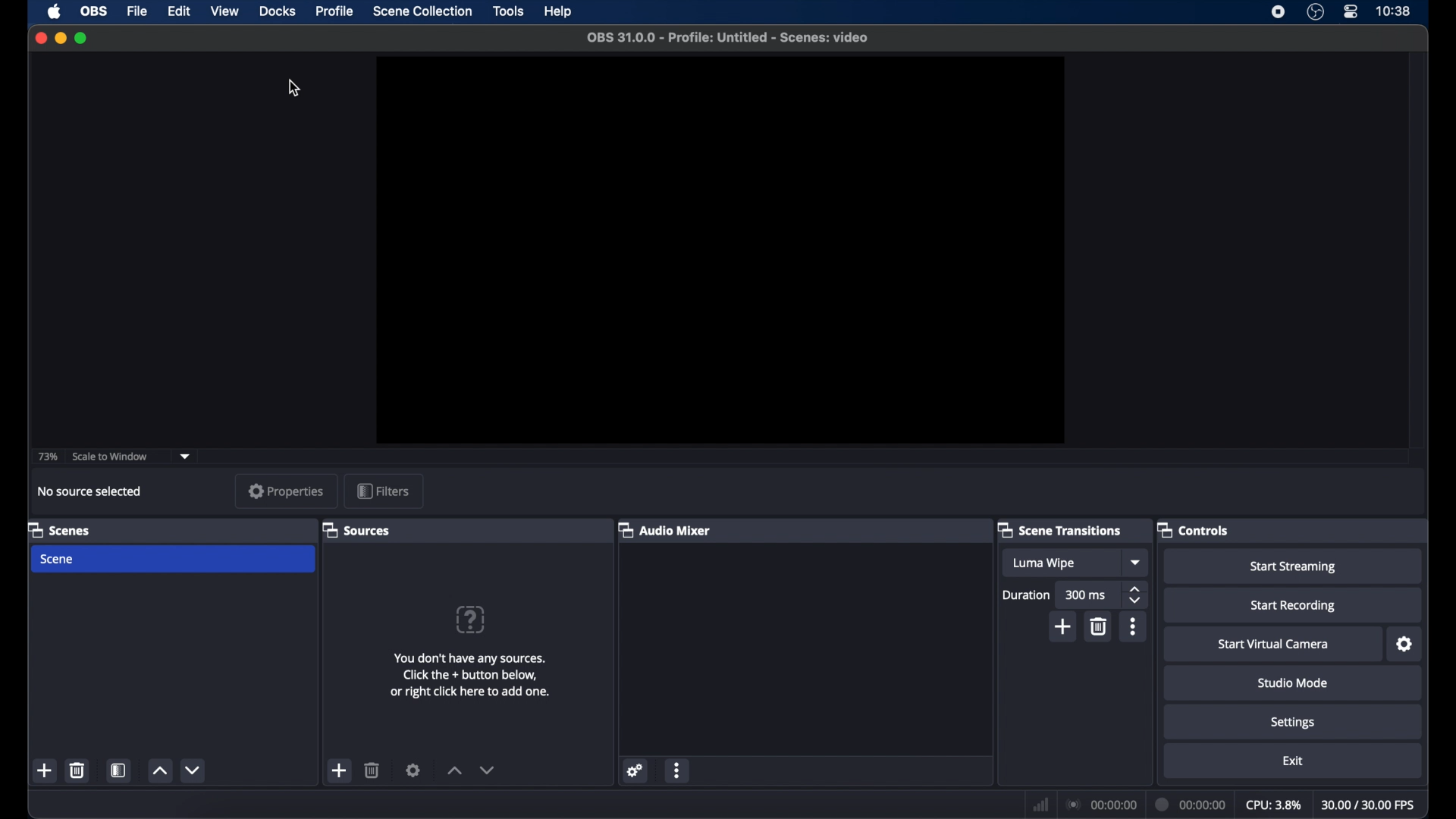 The height and width of the screenshot is (819, 1456). I want to click on network, so click(1040, 804).